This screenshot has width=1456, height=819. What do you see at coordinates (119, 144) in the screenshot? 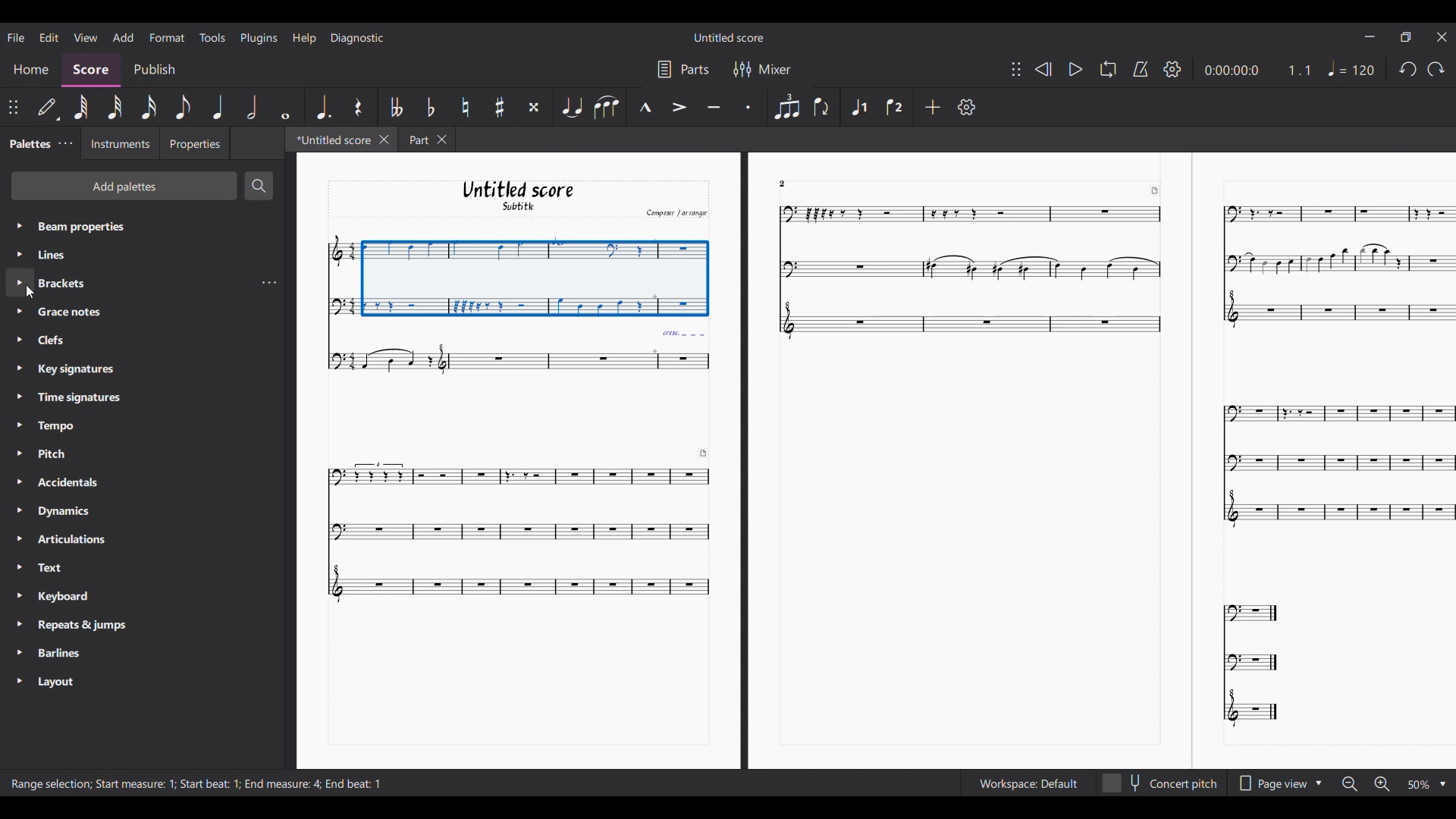
I see `Instruments` at bounding box center [119, 144].